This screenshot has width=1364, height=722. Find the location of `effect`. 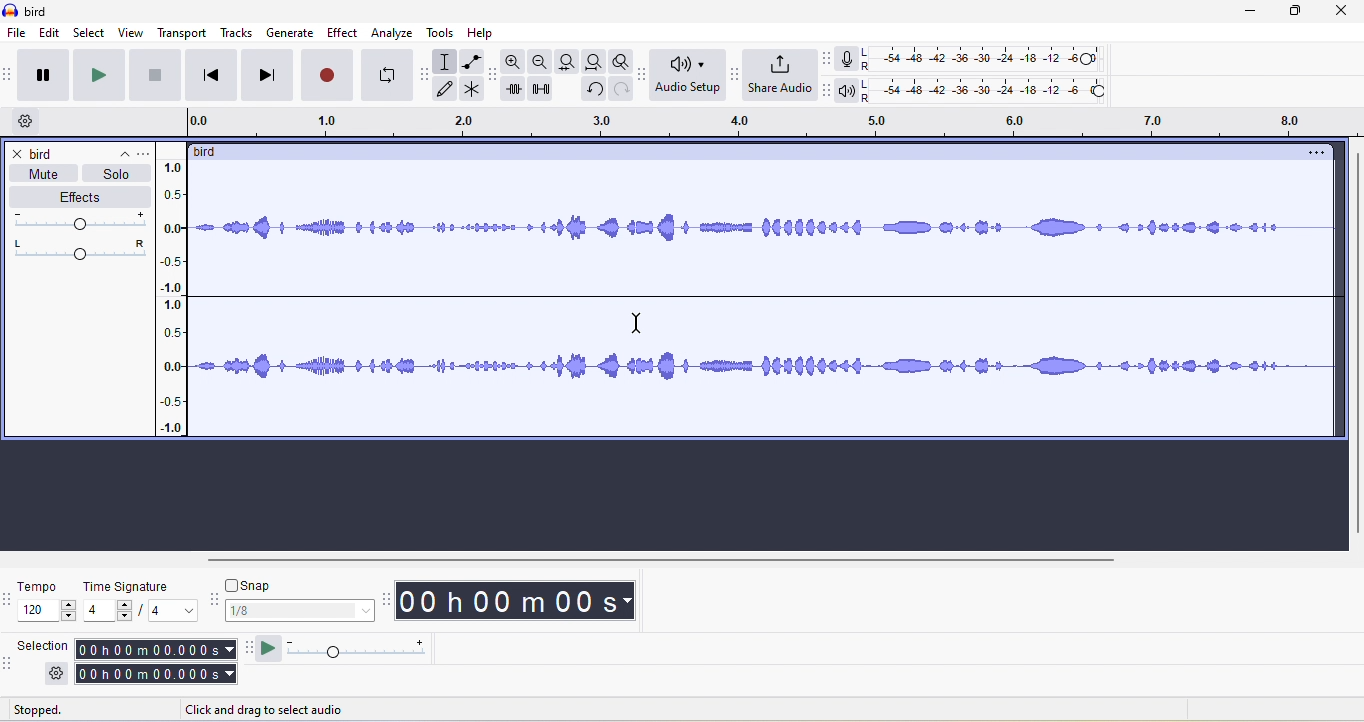

effect is located at coordinates (343, 32).